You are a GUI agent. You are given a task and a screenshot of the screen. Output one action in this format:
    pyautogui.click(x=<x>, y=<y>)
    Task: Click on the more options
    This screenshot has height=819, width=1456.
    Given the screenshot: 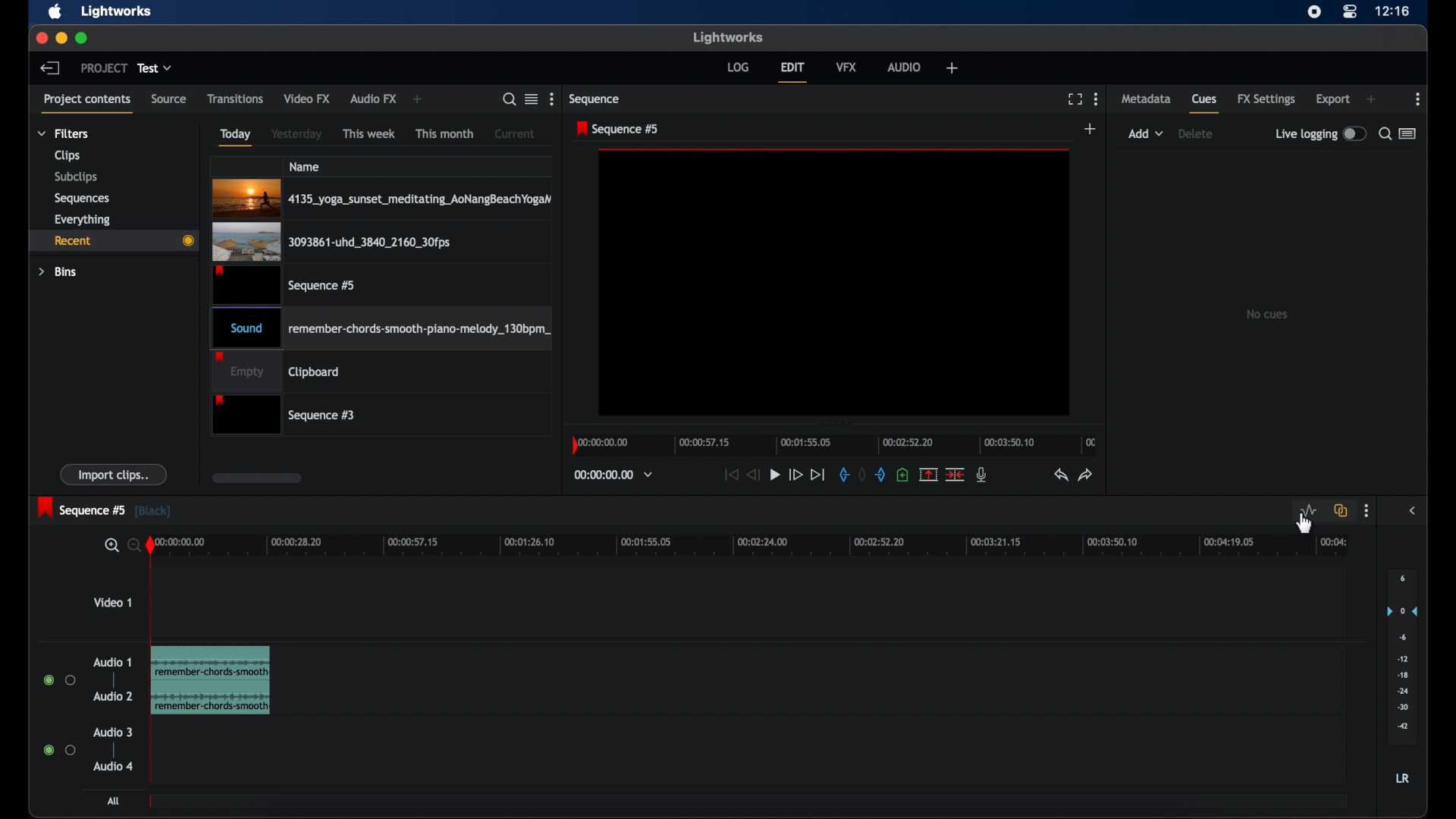 What is the action you would take?
    pyautogui.click(x=1096, y=99)
    